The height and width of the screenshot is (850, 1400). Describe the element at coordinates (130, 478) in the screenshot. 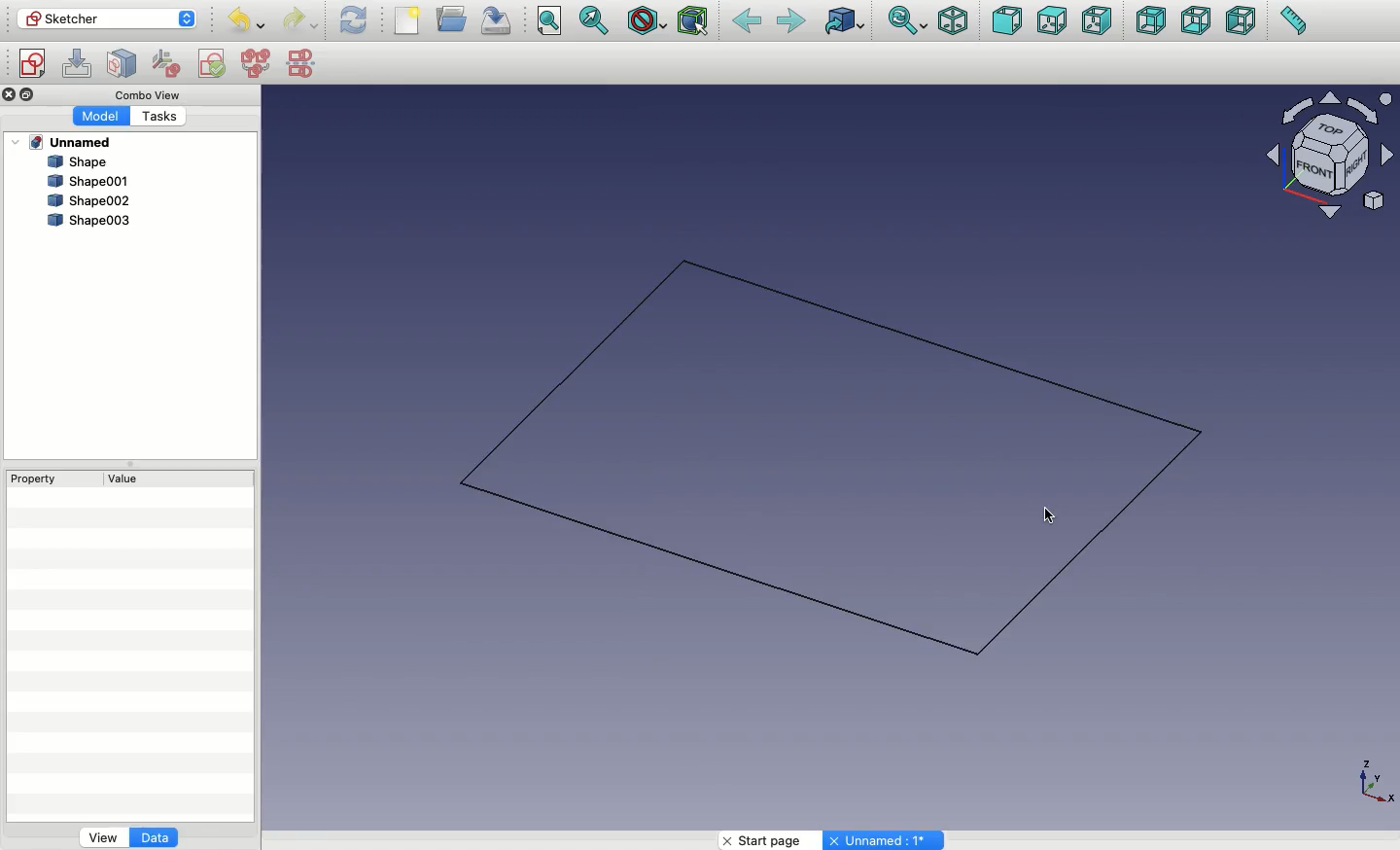

I see `Value` at that location.